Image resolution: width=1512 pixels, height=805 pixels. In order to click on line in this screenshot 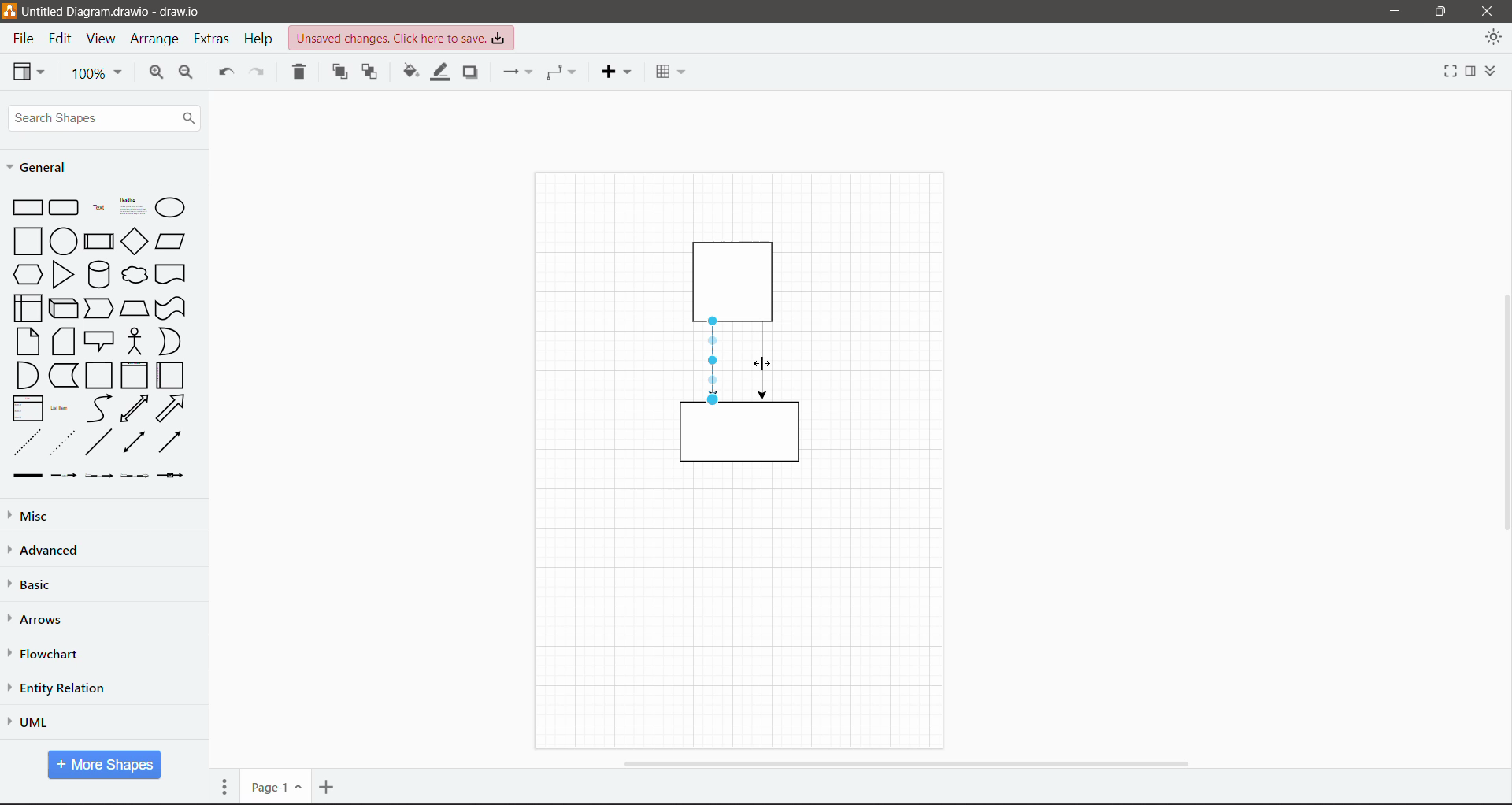, I will do `click(99, 442)`.